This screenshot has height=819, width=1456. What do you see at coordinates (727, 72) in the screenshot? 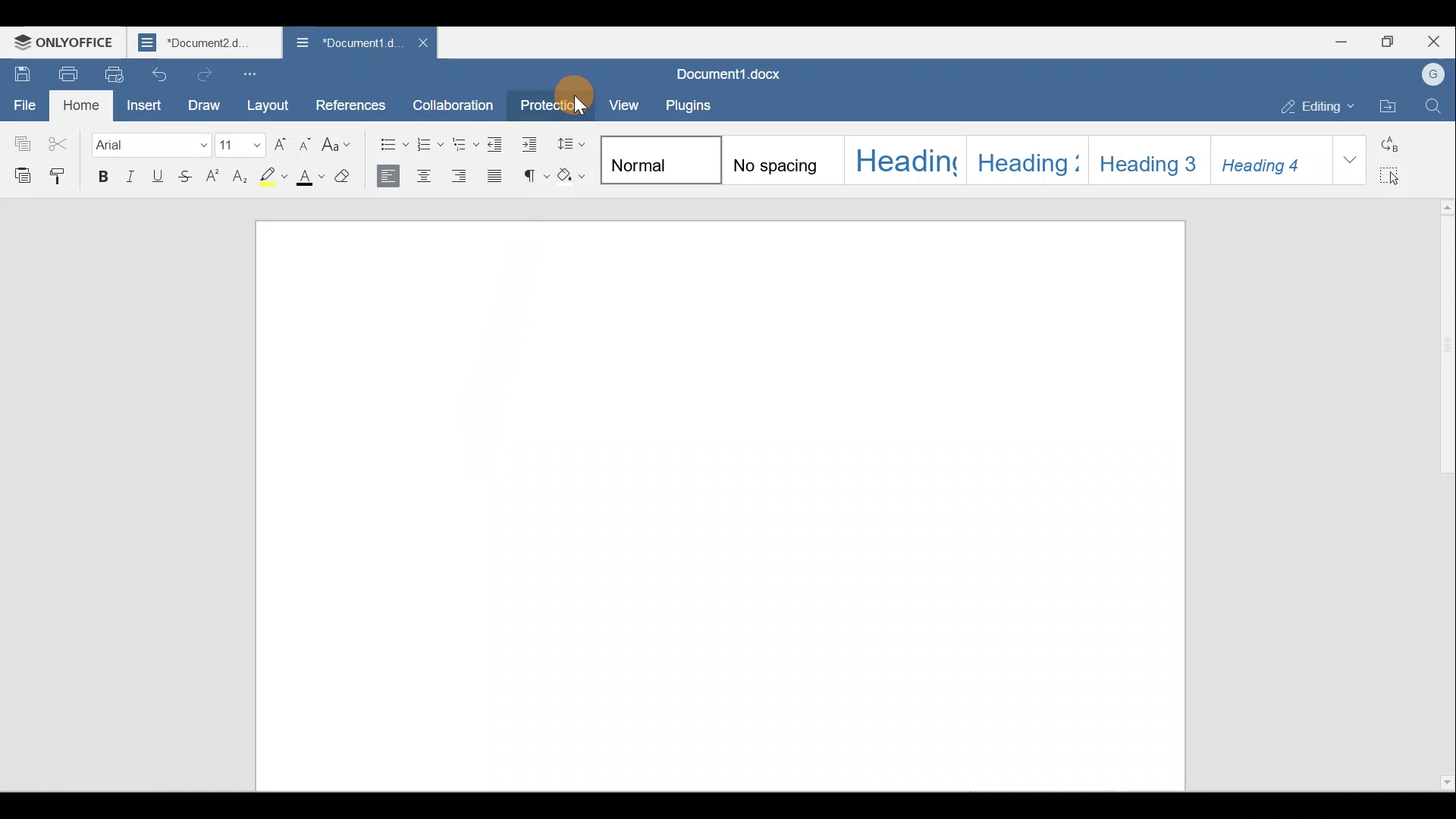
I see `Document name` at bounding box center [727, 72].